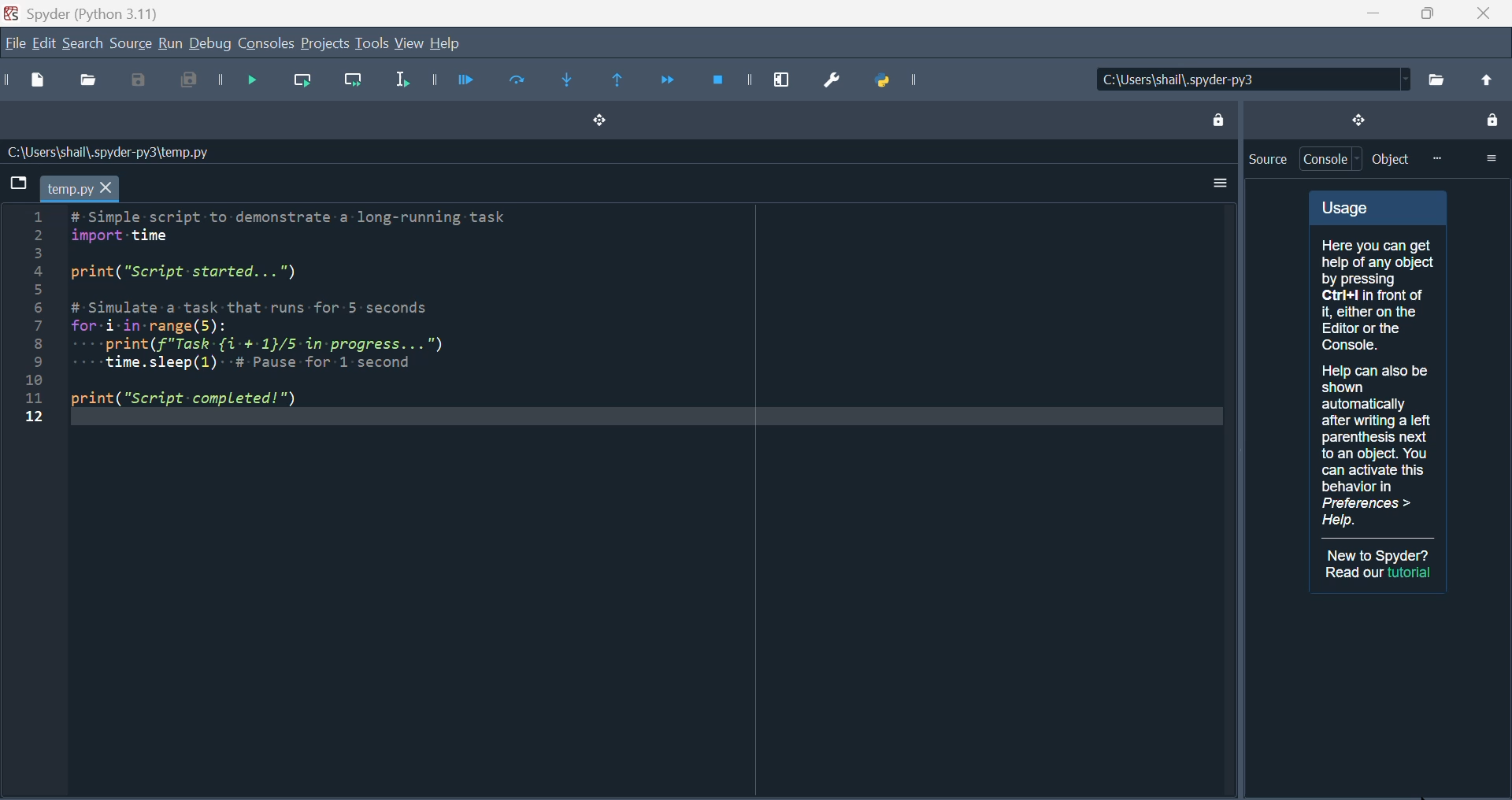 Image resolution: width=1512 pixels, height=800 pixels. I want to click on Continue execution until next function, so click(667, 80).